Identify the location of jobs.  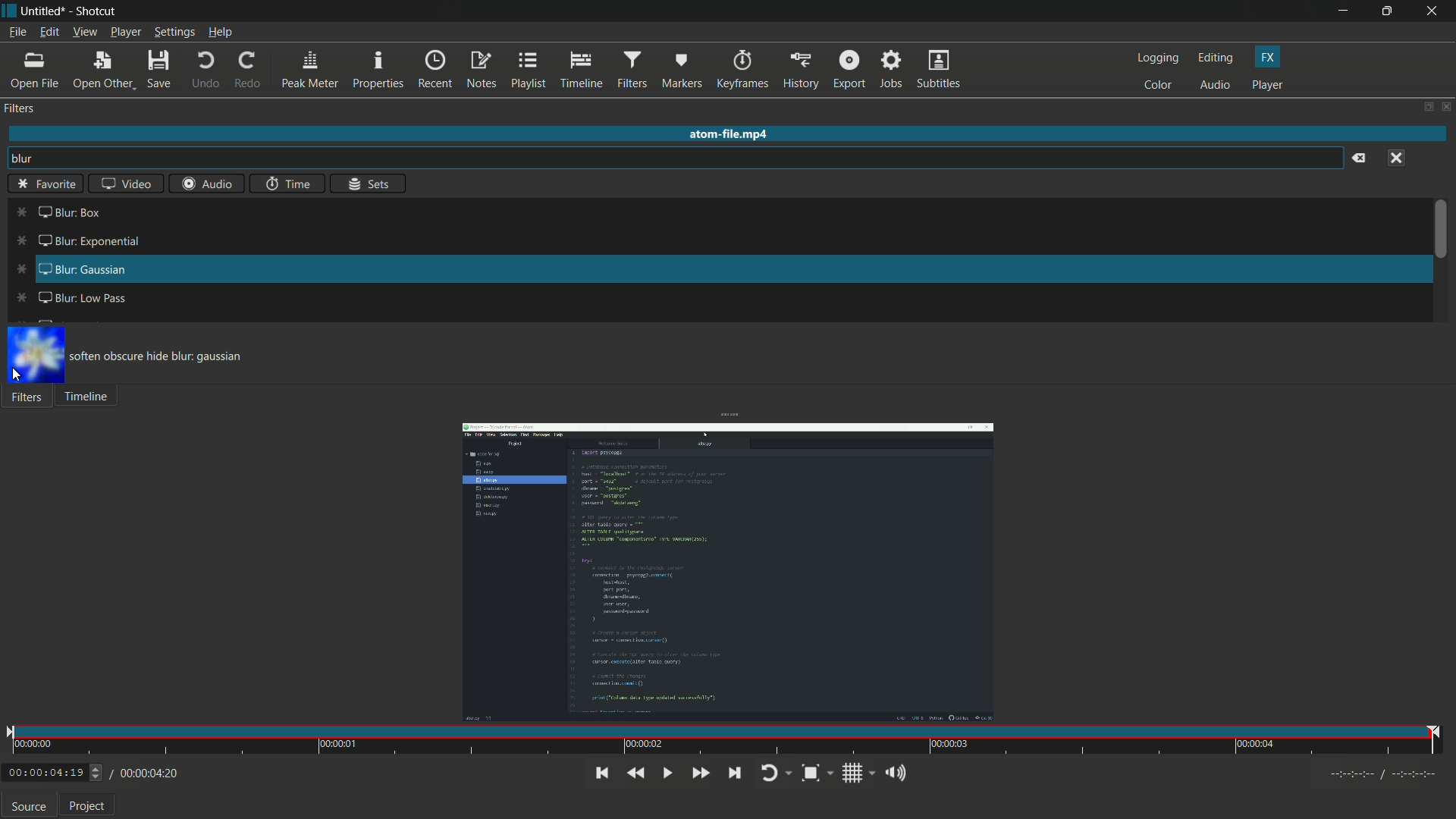
(888, 71).